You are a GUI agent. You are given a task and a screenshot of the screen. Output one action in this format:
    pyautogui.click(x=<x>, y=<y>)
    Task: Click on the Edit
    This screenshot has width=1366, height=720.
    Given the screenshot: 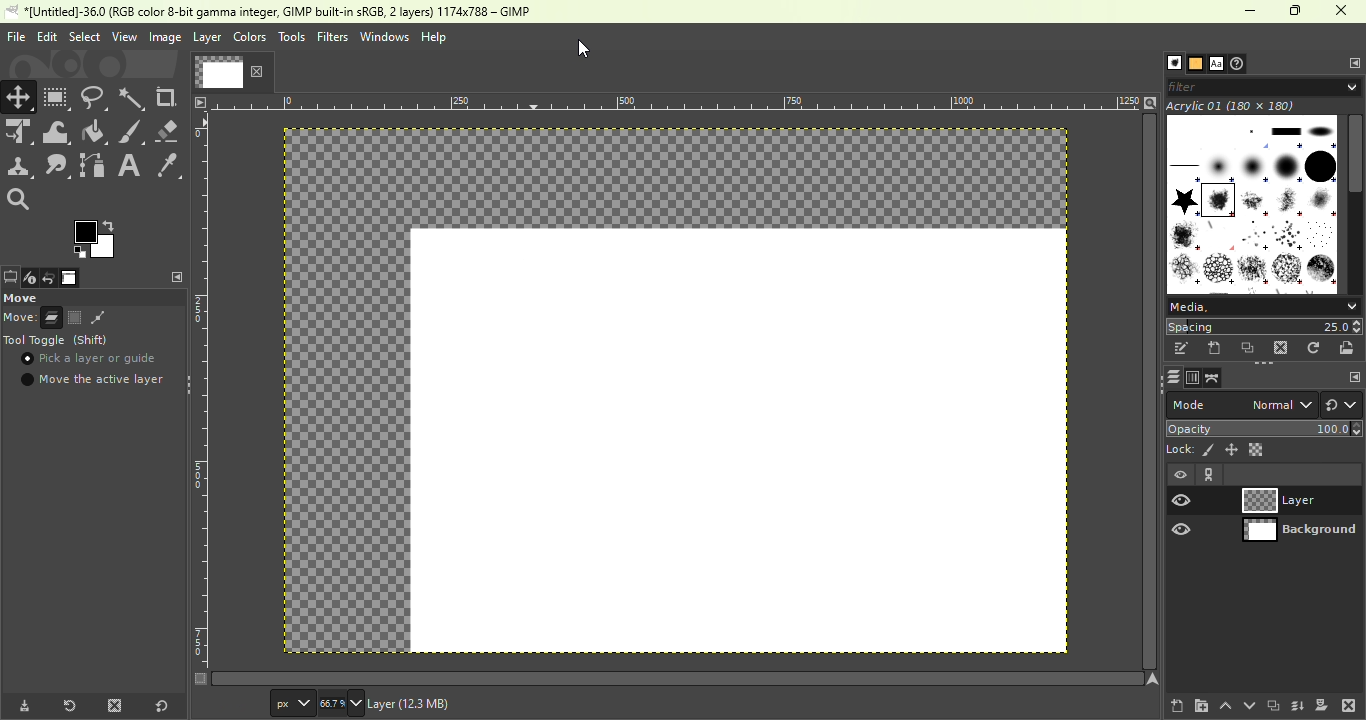 What is the action you would take?
    pyautogui.click(x=46, y=36)
    